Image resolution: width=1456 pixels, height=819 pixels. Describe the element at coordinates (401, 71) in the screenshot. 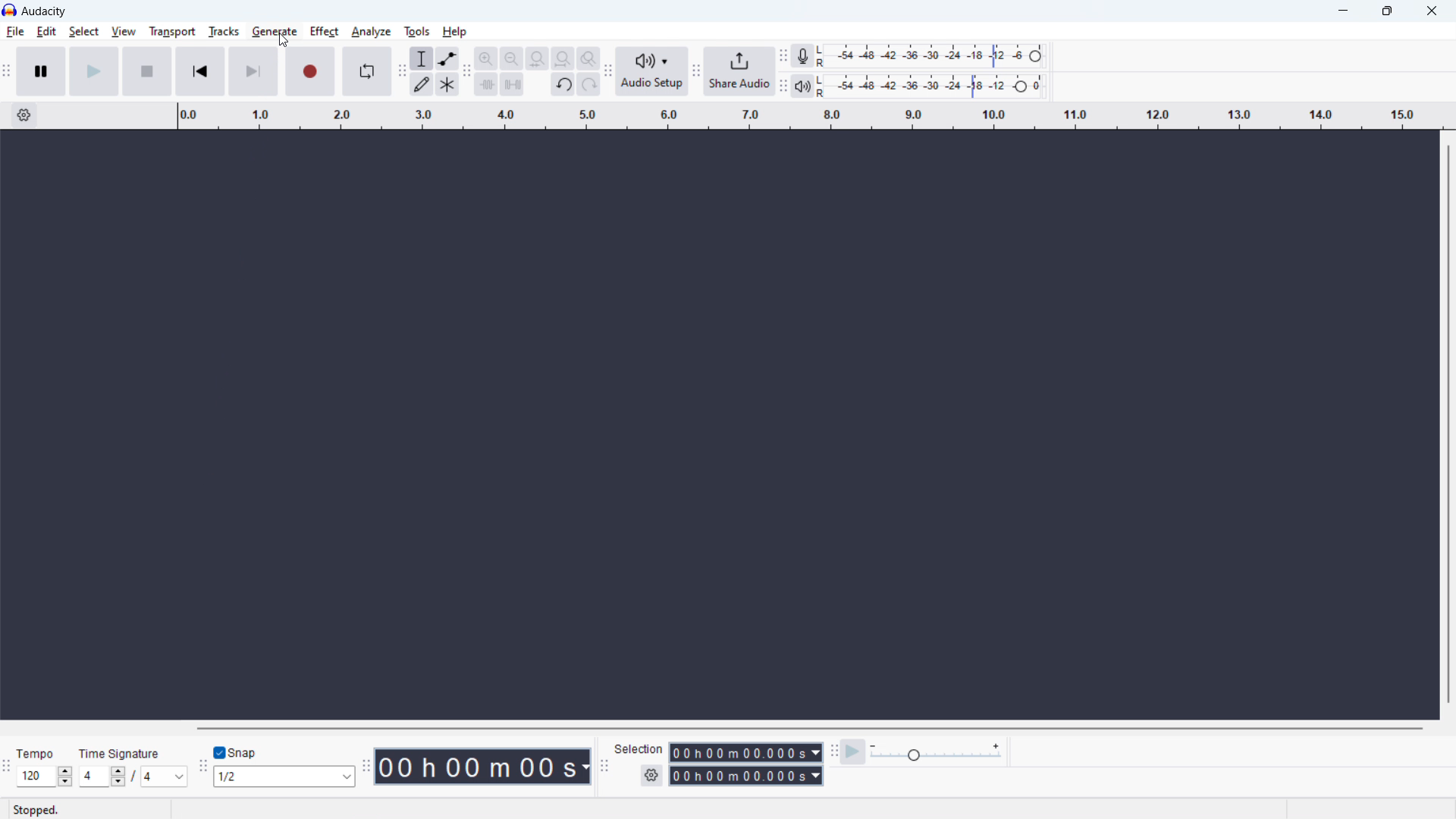

I see `tools toolbar` at that location.